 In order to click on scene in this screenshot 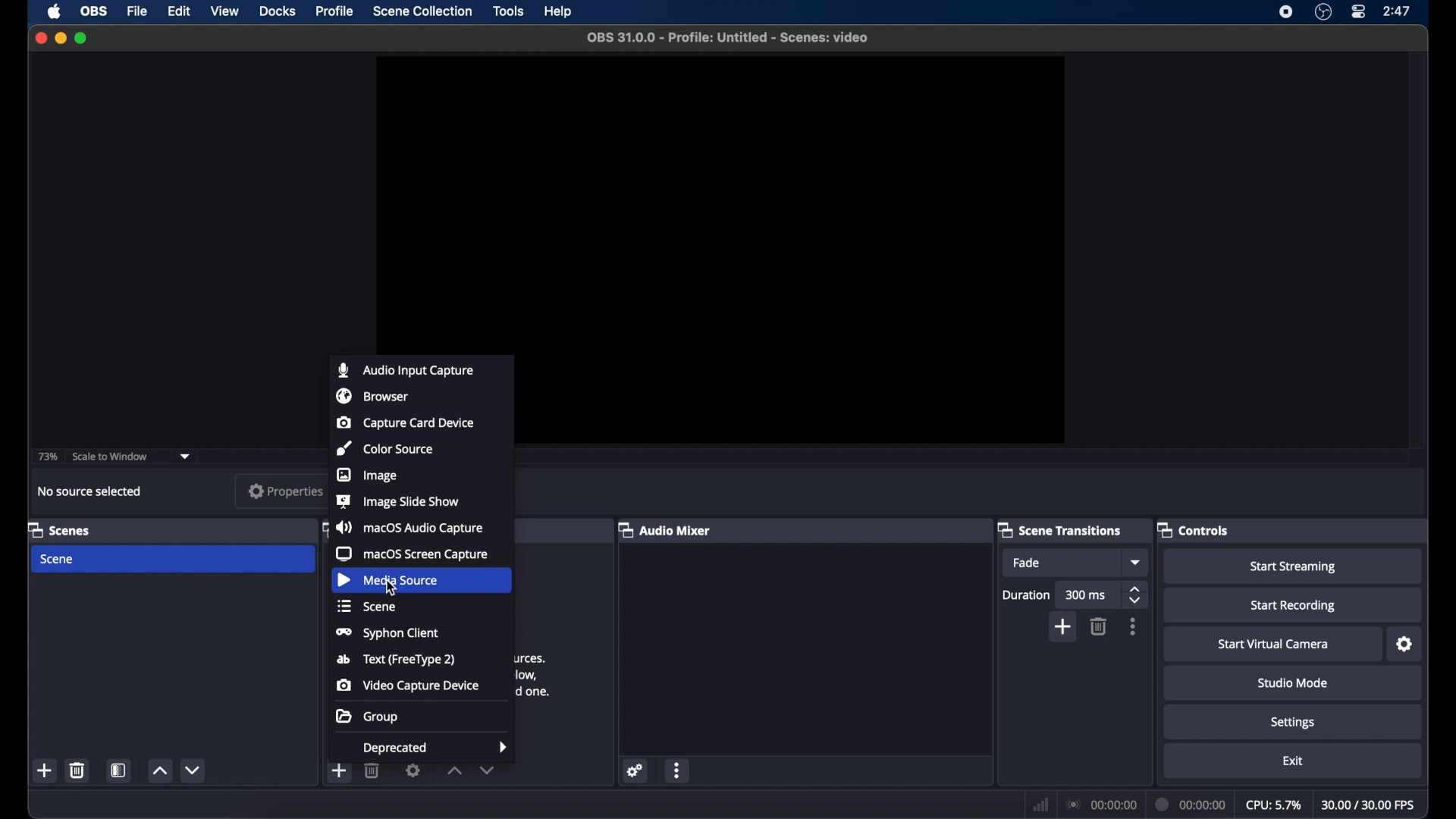, I will do `click(365, 606)`.